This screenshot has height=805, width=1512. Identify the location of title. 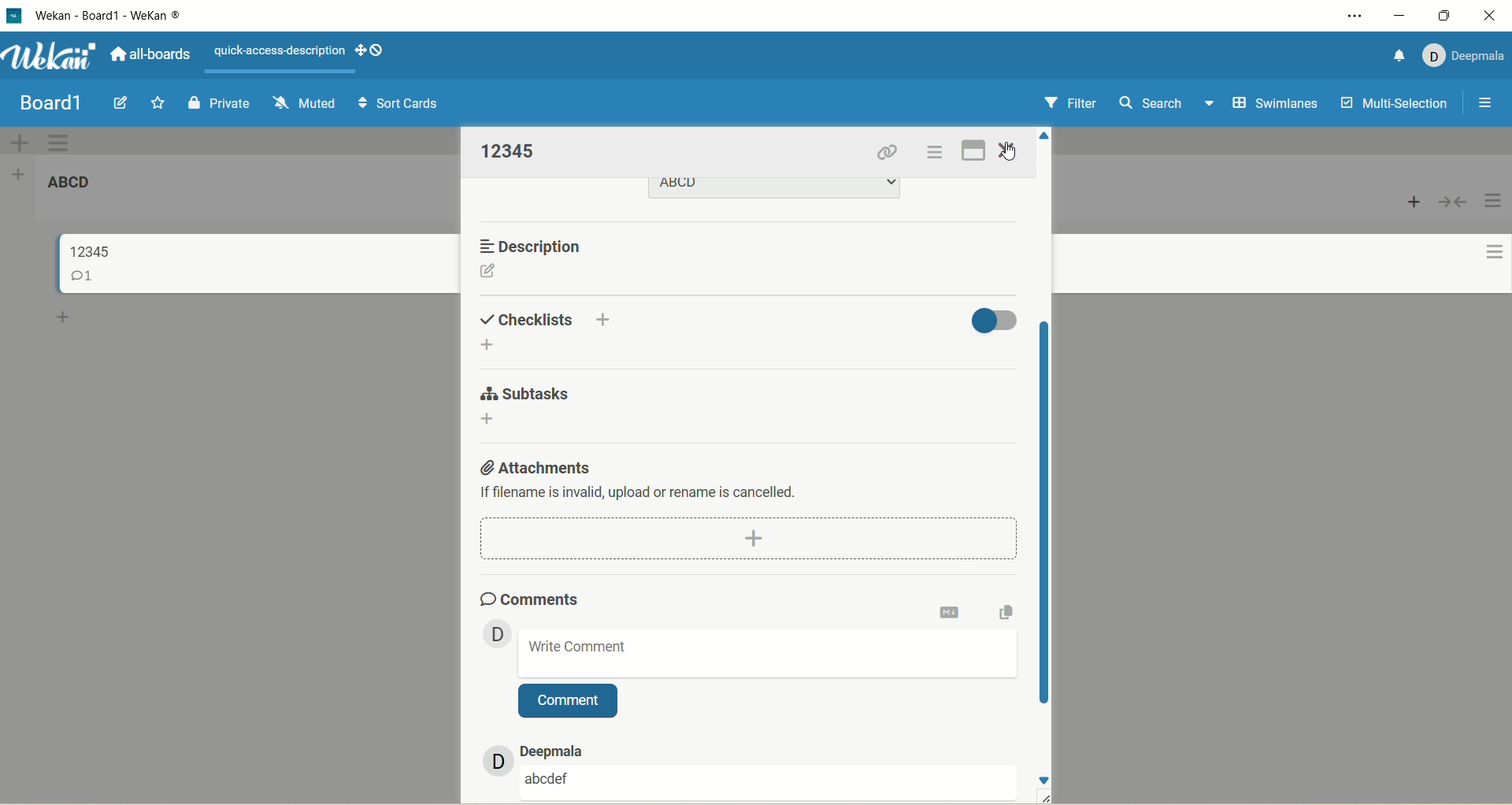
(136, 16).